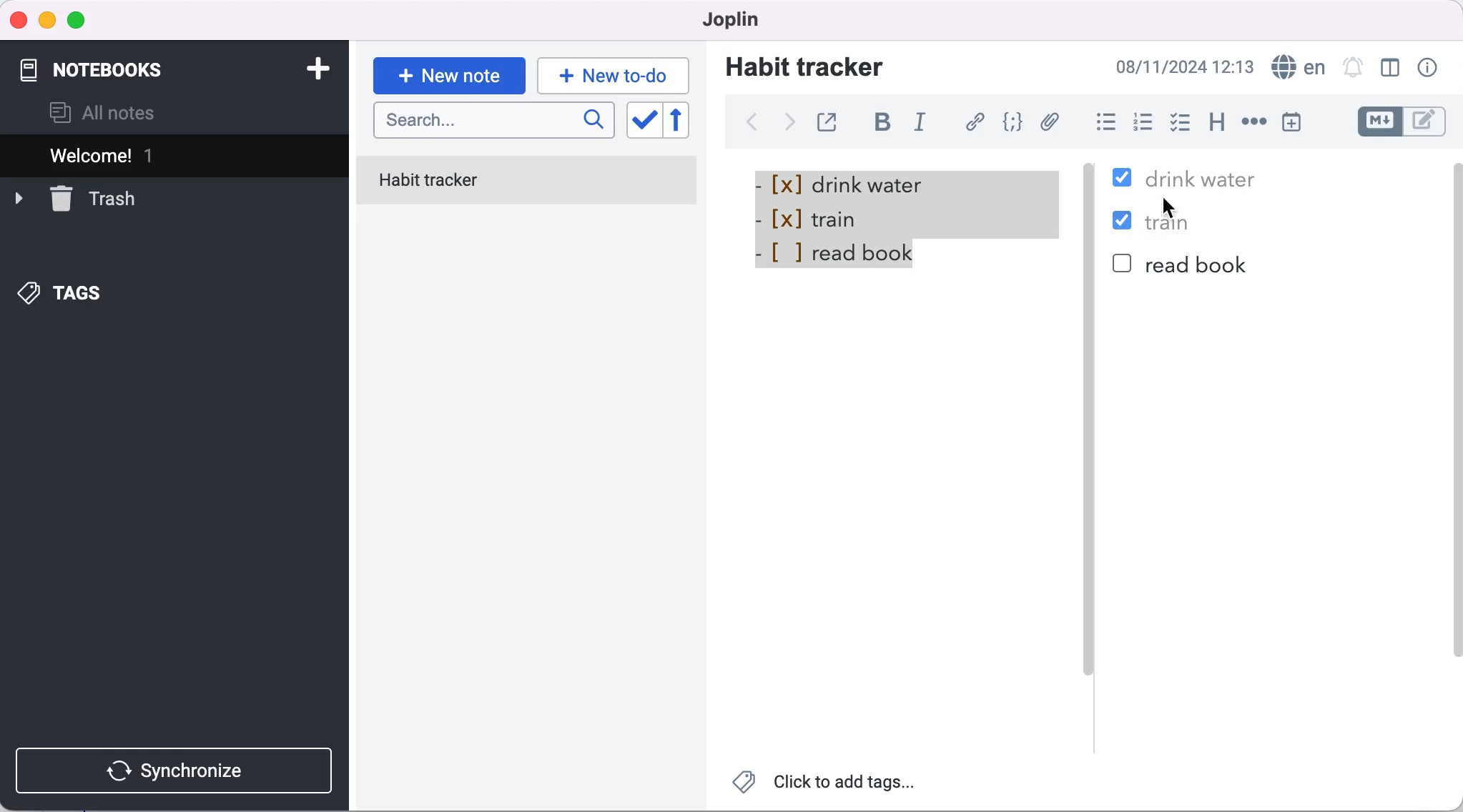  What do you see at coordinates (527, 182) in the screenshot?
I see `habit tracker` at bounding box center [527, 182].